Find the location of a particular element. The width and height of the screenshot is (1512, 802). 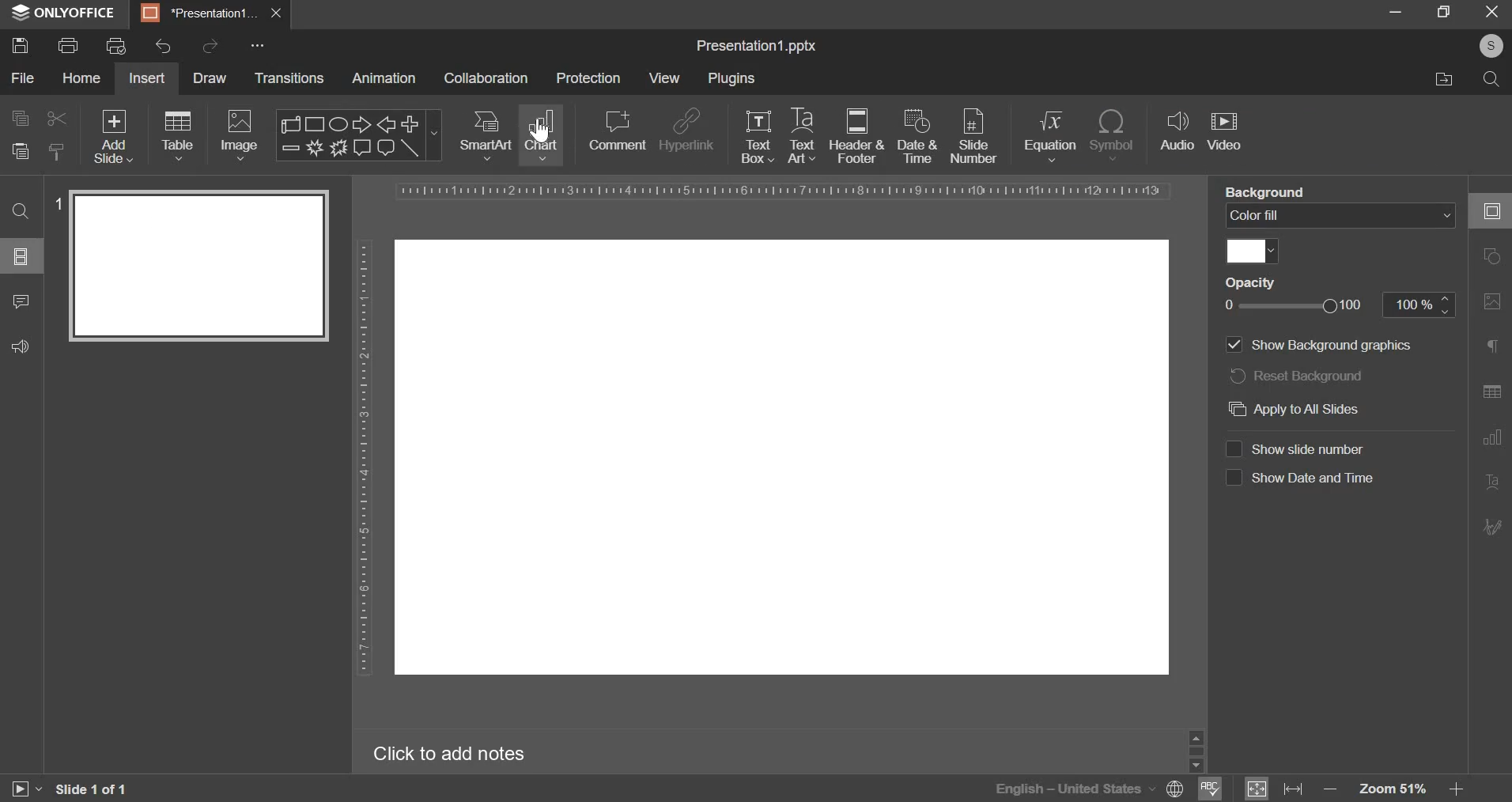

text box is located at coordinates (758, 137).